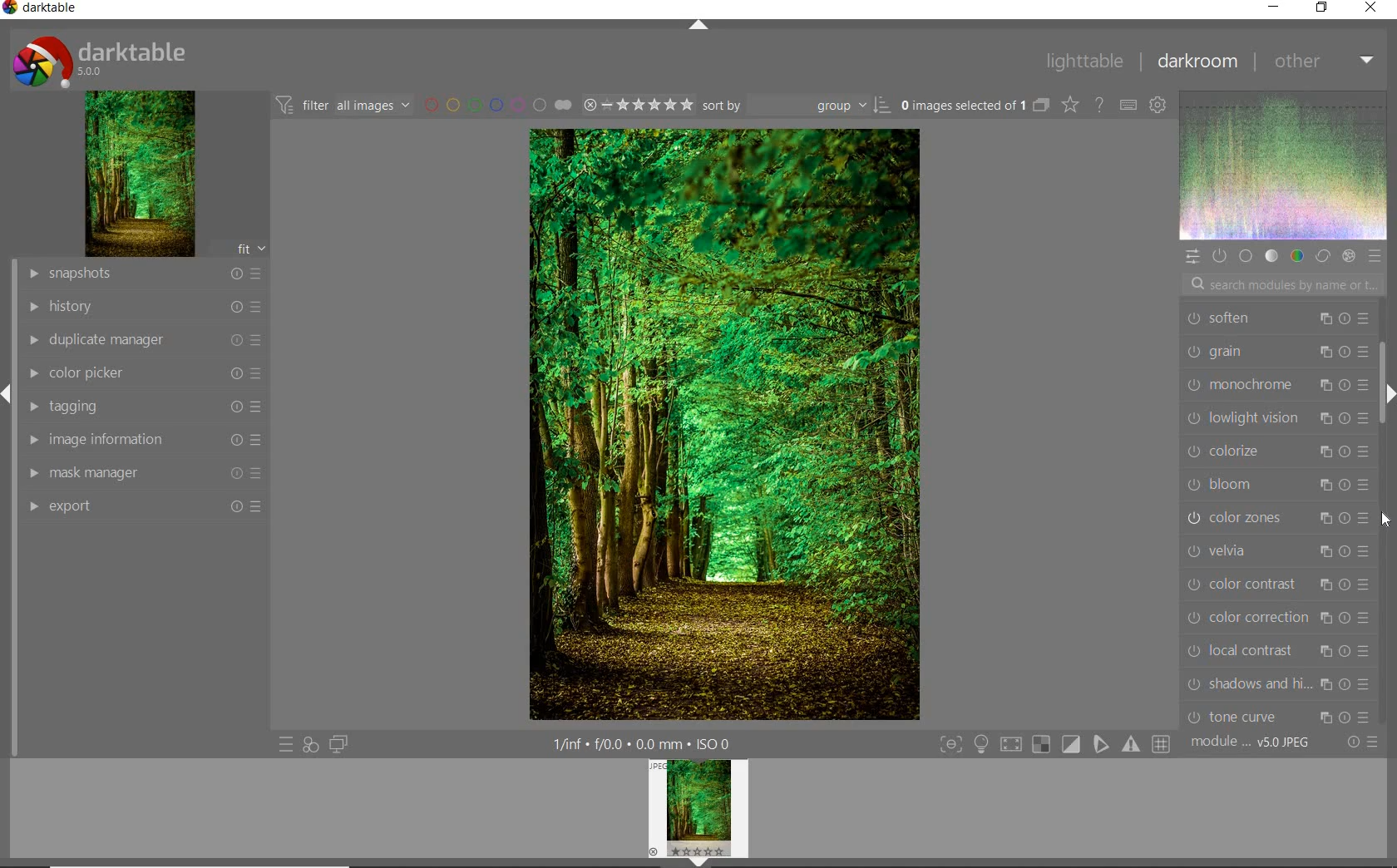  I want to click on SORT, so click(795, 105).